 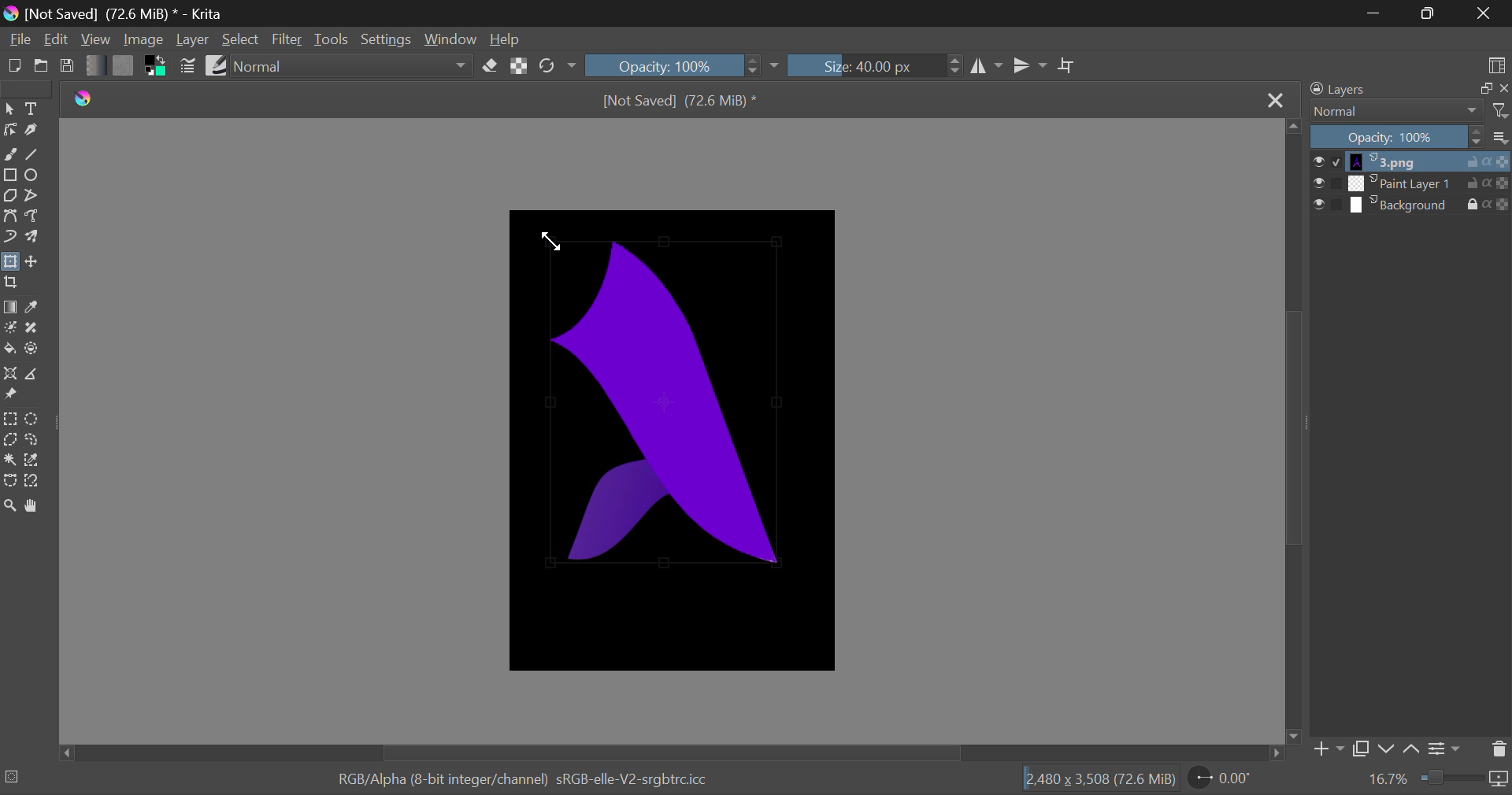 What do you see at coordinates (87, 99) in the screenshot?
I see `logo` at bounding box center [87, 99].